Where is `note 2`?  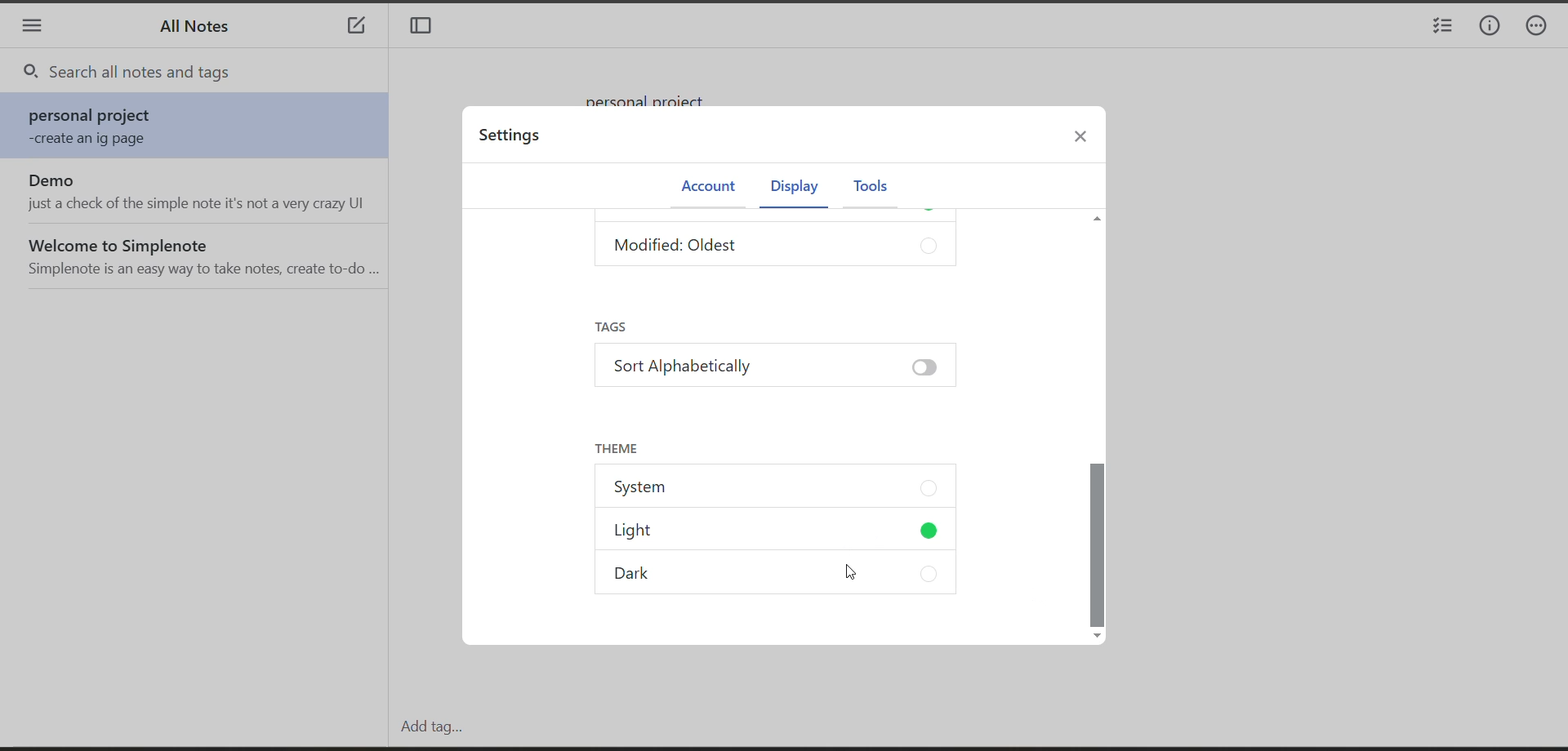 note 2 is located at coordinates (199, 192).